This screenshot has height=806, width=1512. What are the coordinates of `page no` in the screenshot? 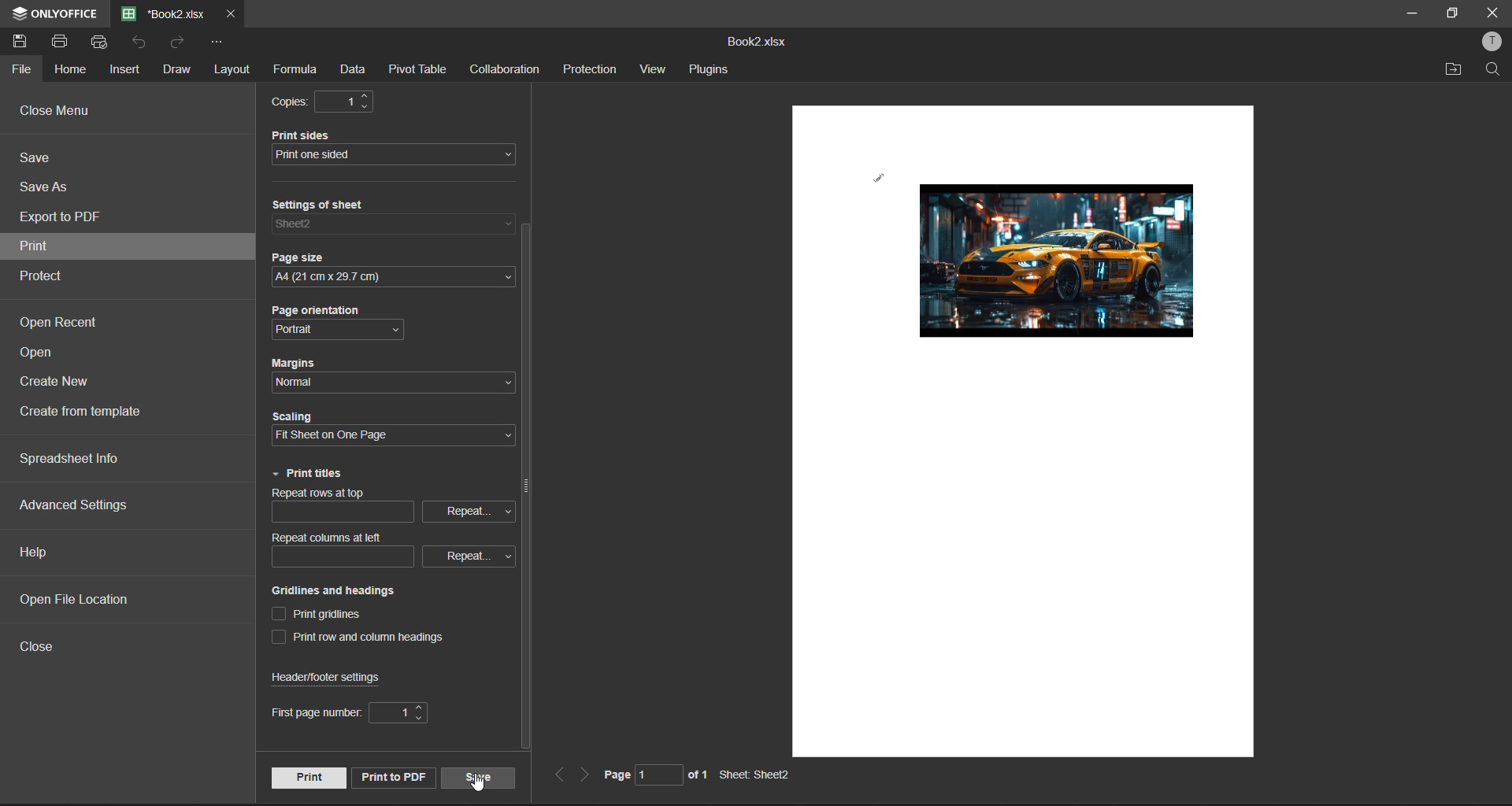 It's located at (632, 774).